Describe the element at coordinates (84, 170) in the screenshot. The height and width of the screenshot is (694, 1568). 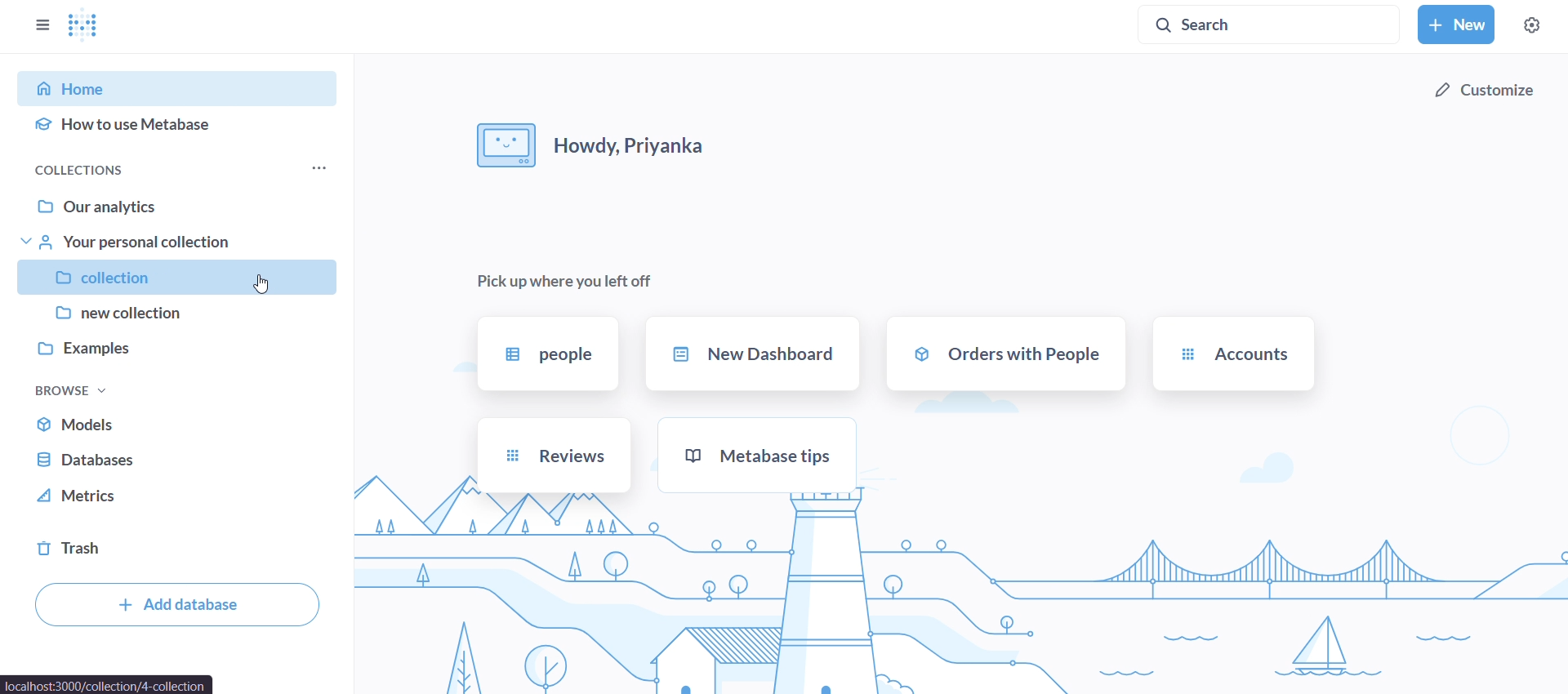
I see `collections` at that location.